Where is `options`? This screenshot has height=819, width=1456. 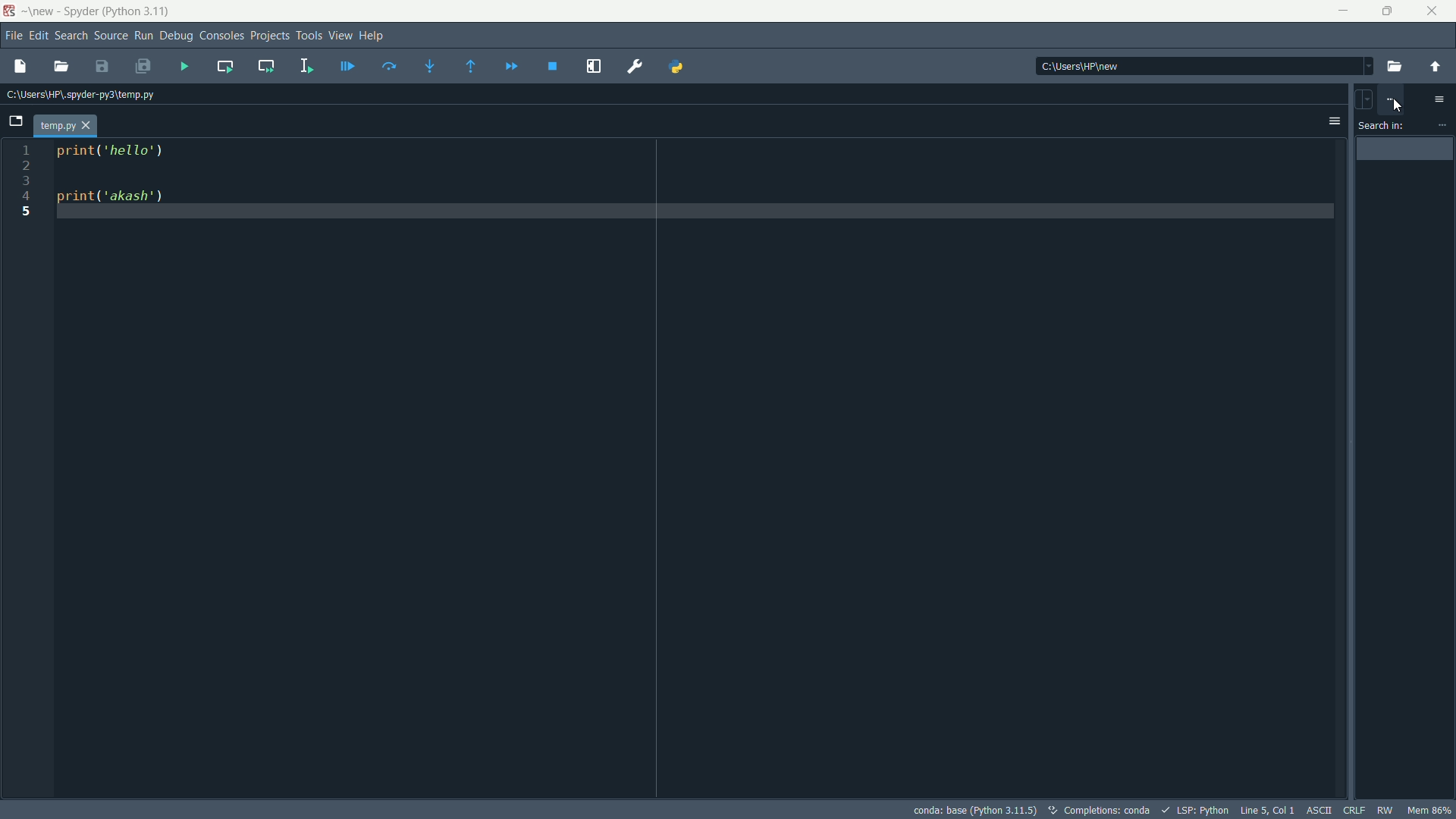 options is located at coordinates (1333, 121).